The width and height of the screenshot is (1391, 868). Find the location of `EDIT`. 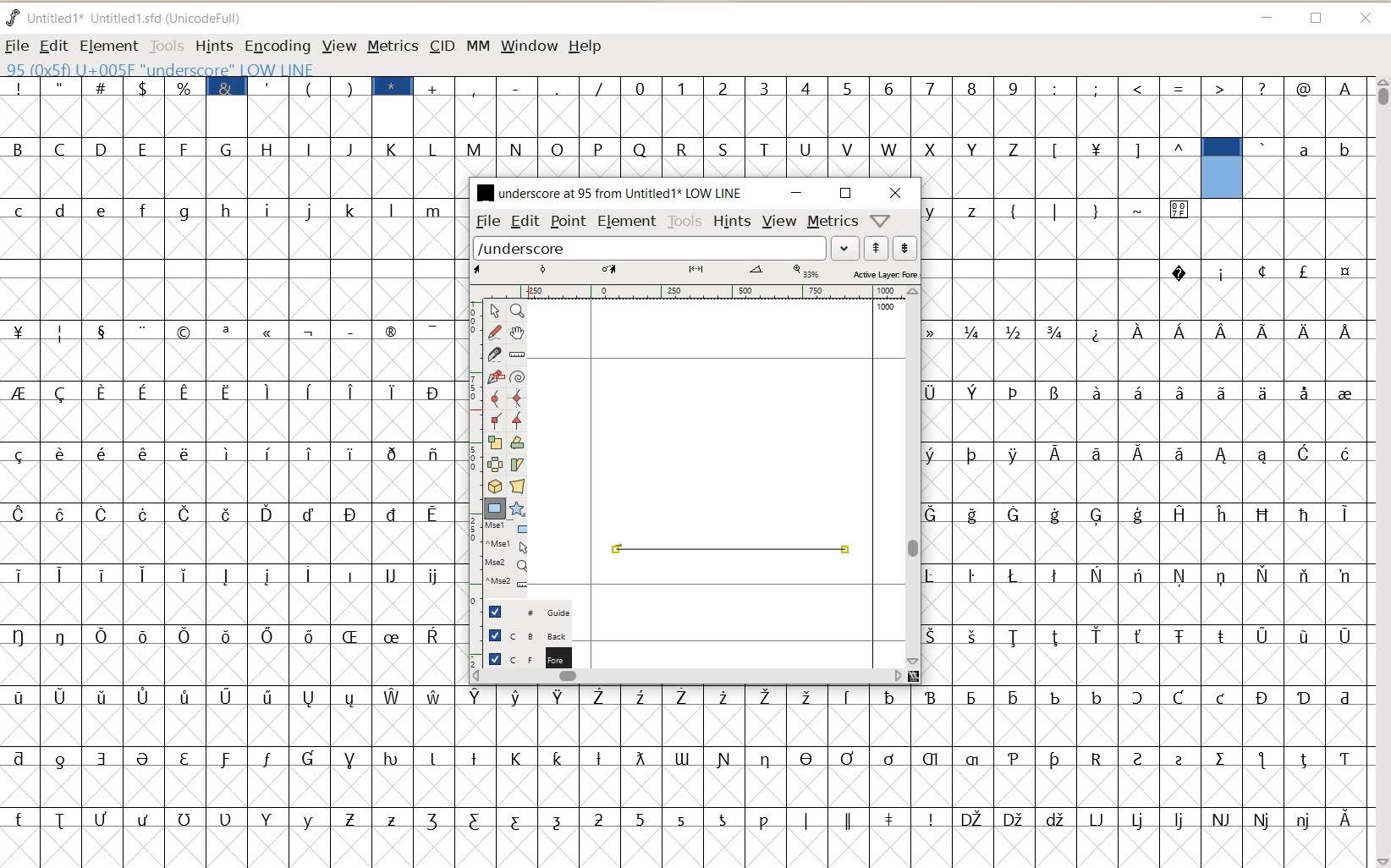

EDIT is located at coordinates (525, 221).